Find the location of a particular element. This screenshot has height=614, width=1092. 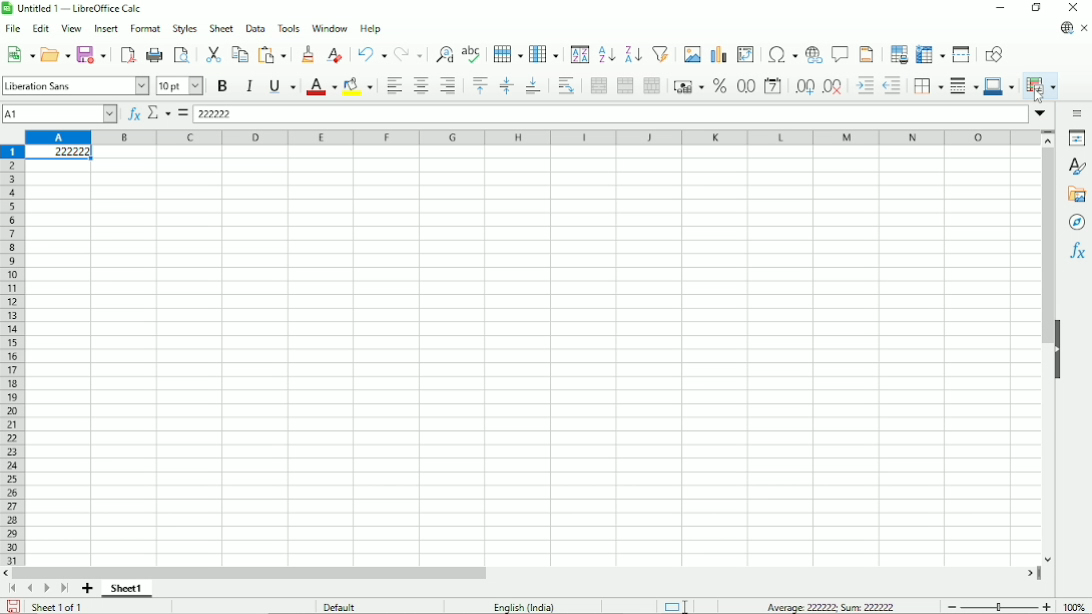

Styles is located at coordinates (184, 28).